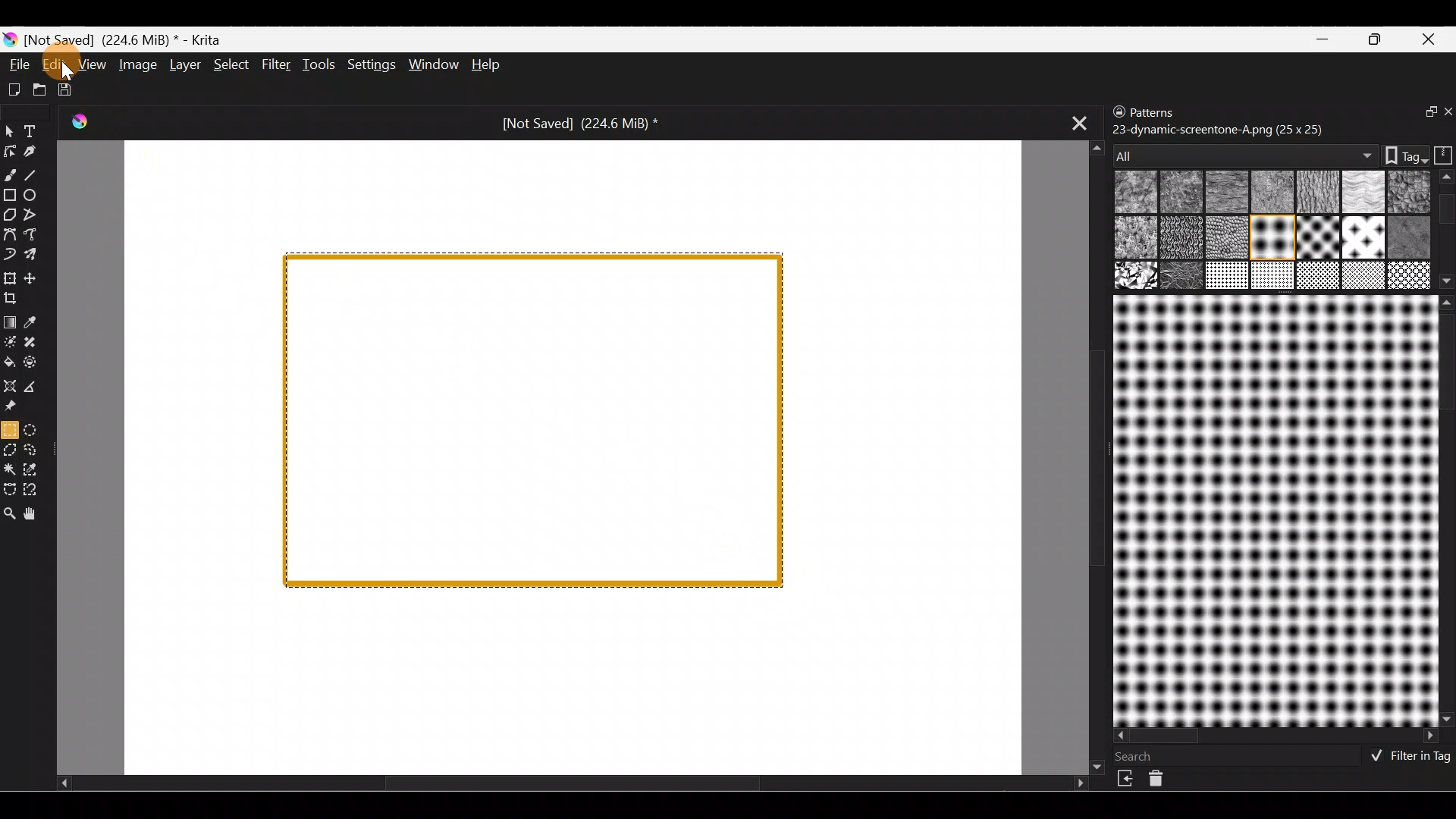 The height and width of the screenshot is (819, 1456). I want to click on Create new document, so click(14, 90).